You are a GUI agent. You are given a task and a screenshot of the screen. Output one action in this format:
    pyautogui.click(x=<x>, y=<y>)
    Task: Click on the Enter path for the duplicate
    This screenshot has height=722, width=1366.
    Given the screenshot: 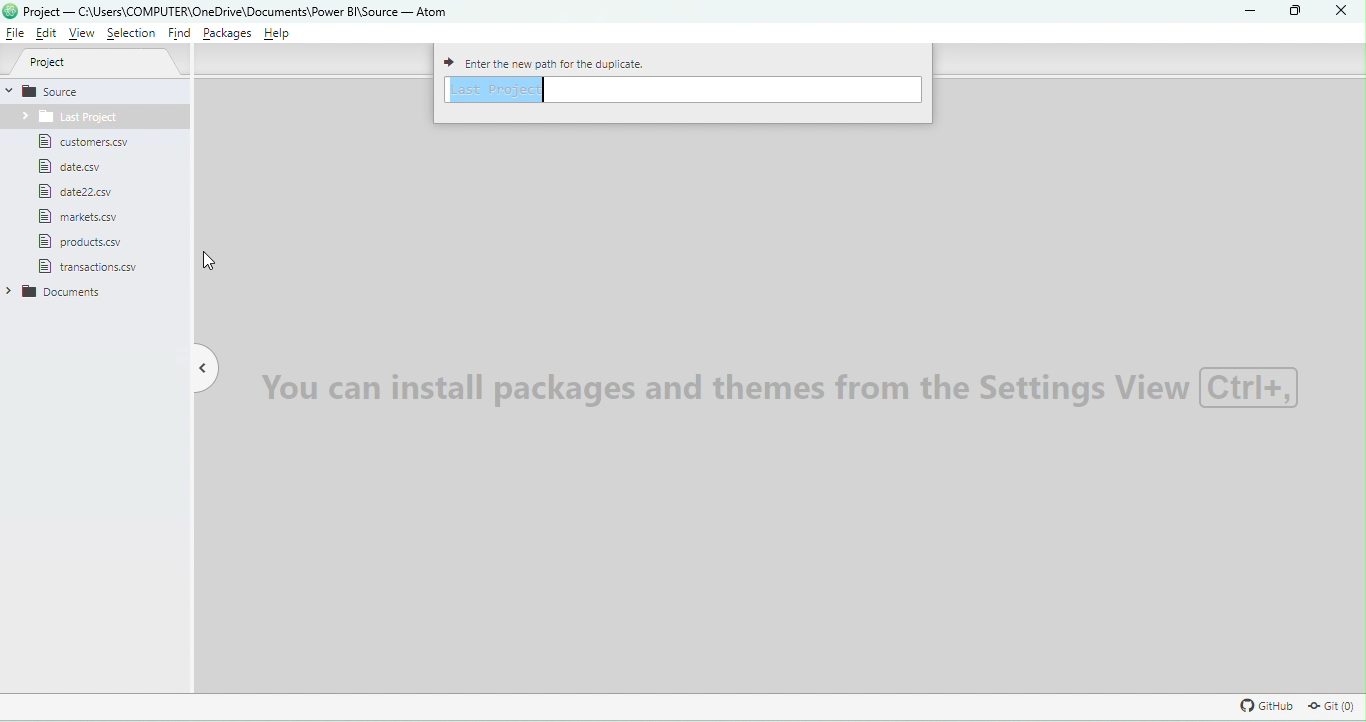 What is the action you would take?
    pyautogui.click(x=571, y=62)
    